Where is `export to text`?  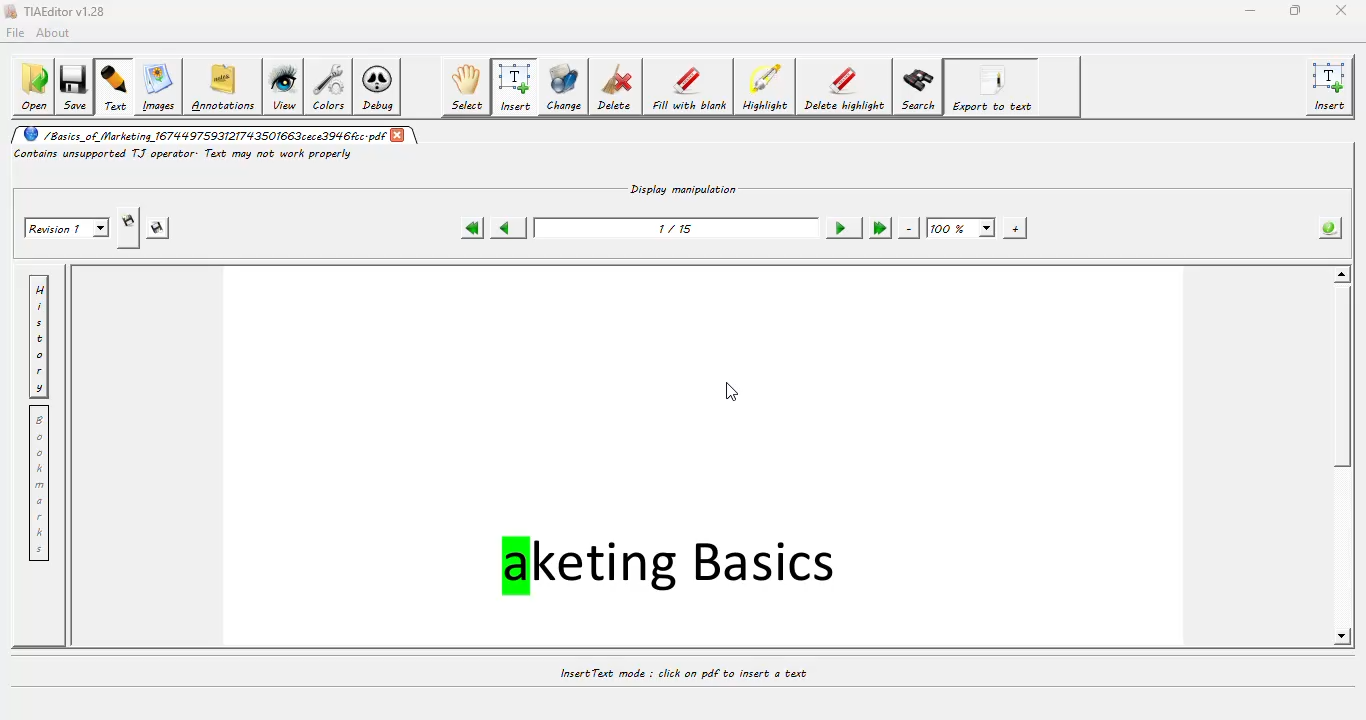 export to text is located at coordinates (994, 87).